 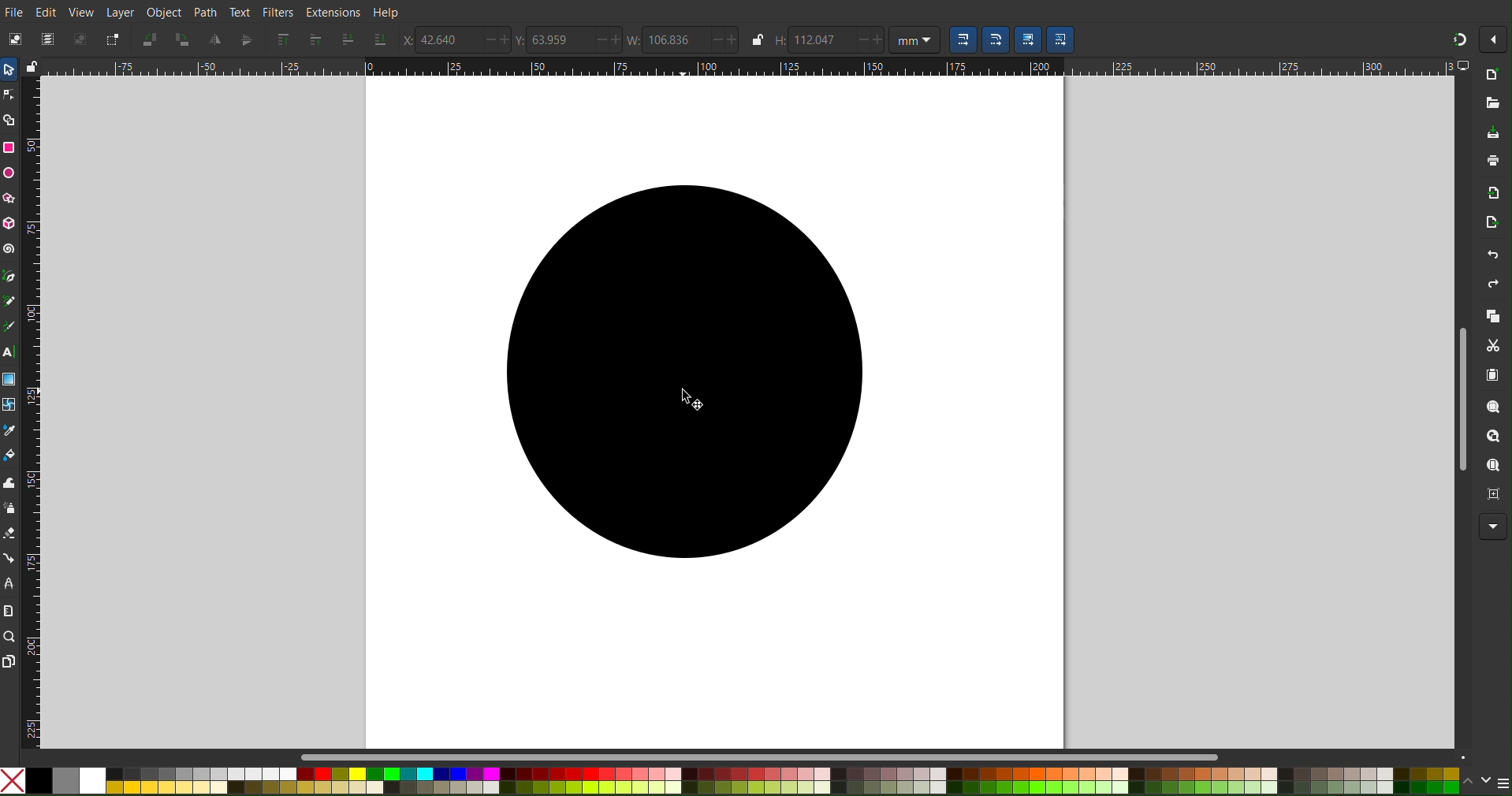 What do you see at coordinates (31, 66) in the screenshot?
I see `lock` at bounding box center [31, 66].